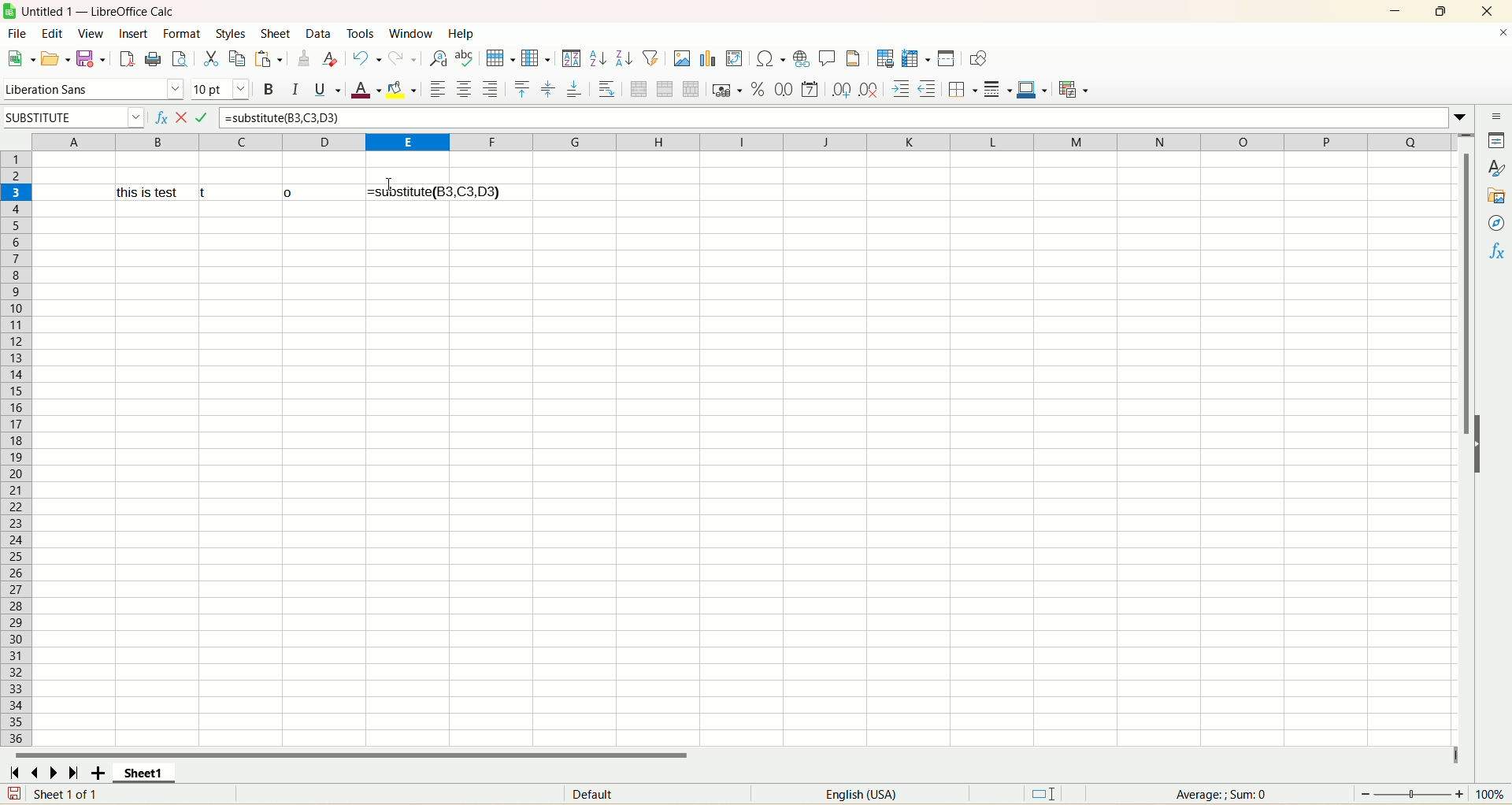 The image size is (1512, 805). What do you see at coordinates (727, 91) in the screenshot?
I see `format as currency` at bounding box center [727, 91].